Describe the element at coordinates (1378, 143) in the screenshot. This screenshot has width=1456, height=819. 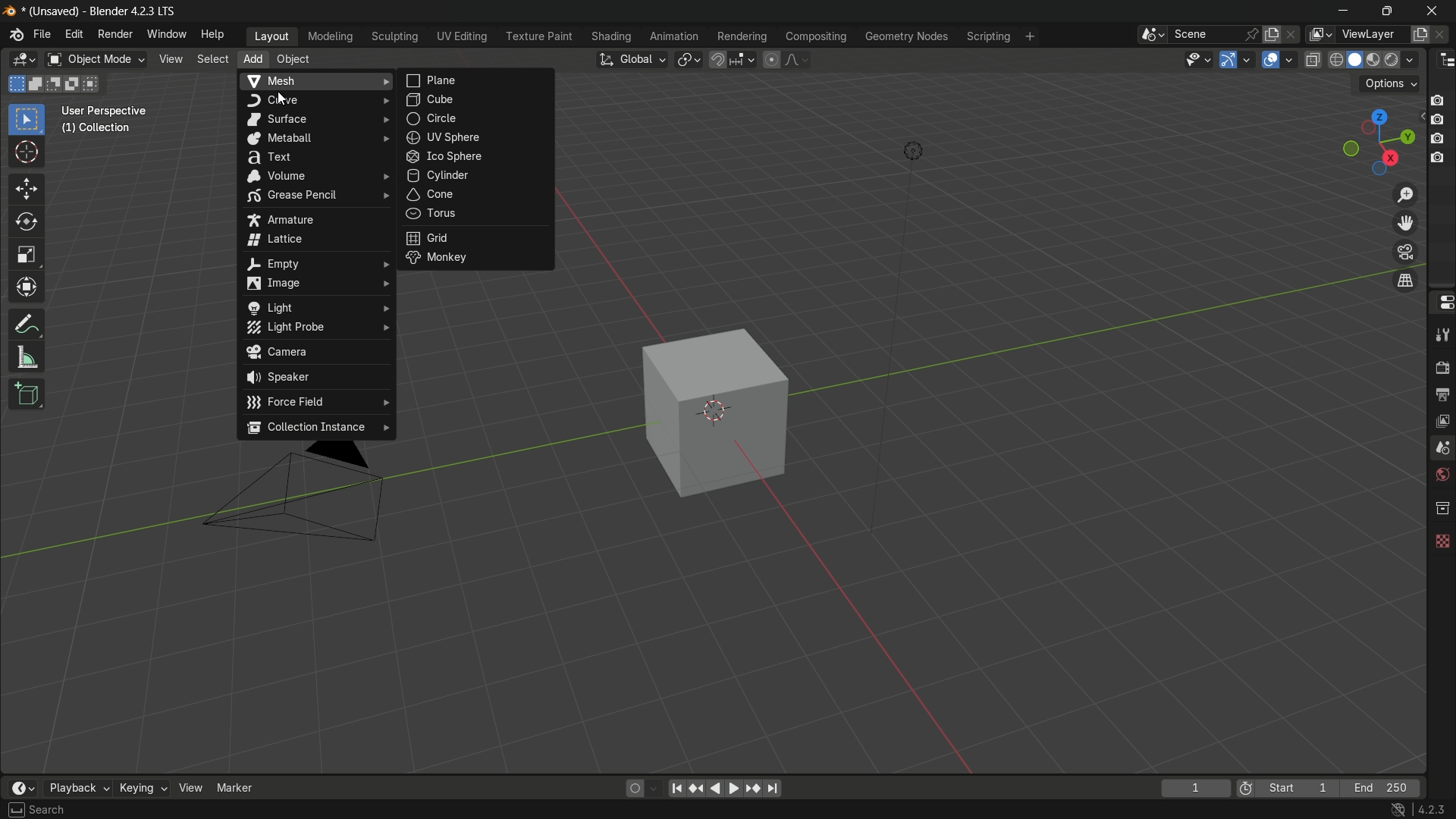
I see `preset viewpoint` at that location.